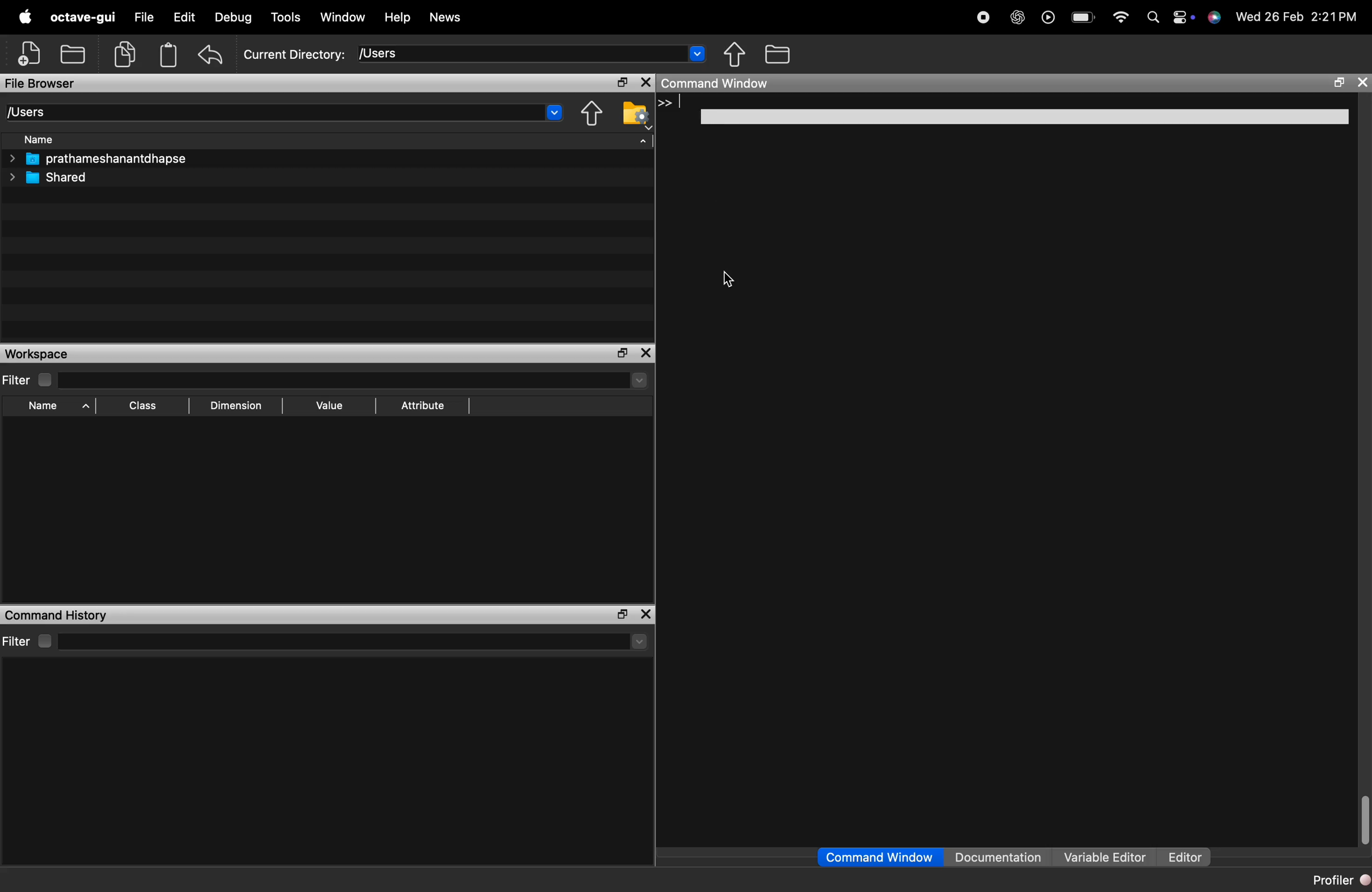  I want to click on dropdown, so click(639, 382).